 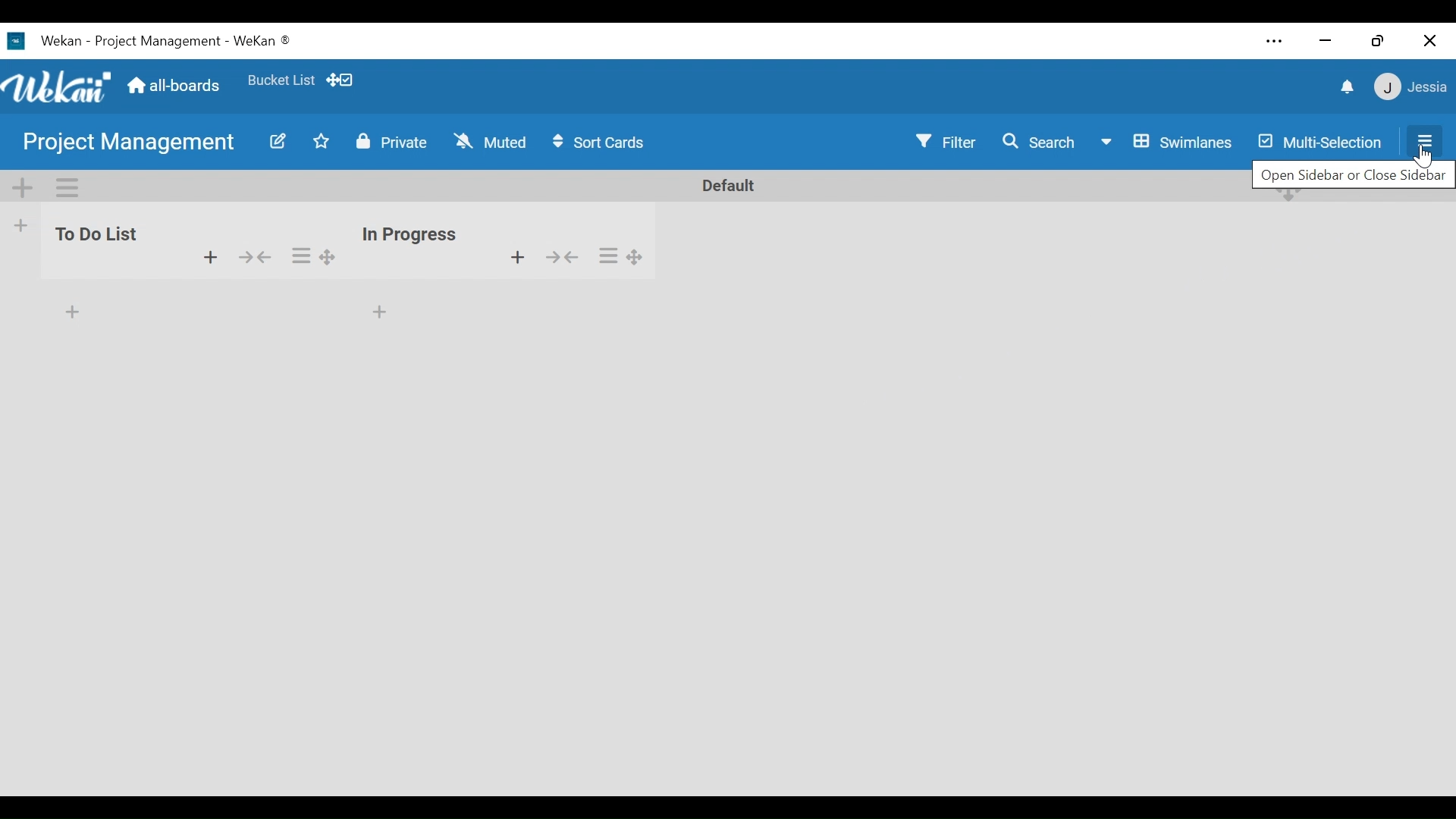 What do you see at coordinates (507, 257) in the screenshot?
I see `add` at bounding box center [507, 257].